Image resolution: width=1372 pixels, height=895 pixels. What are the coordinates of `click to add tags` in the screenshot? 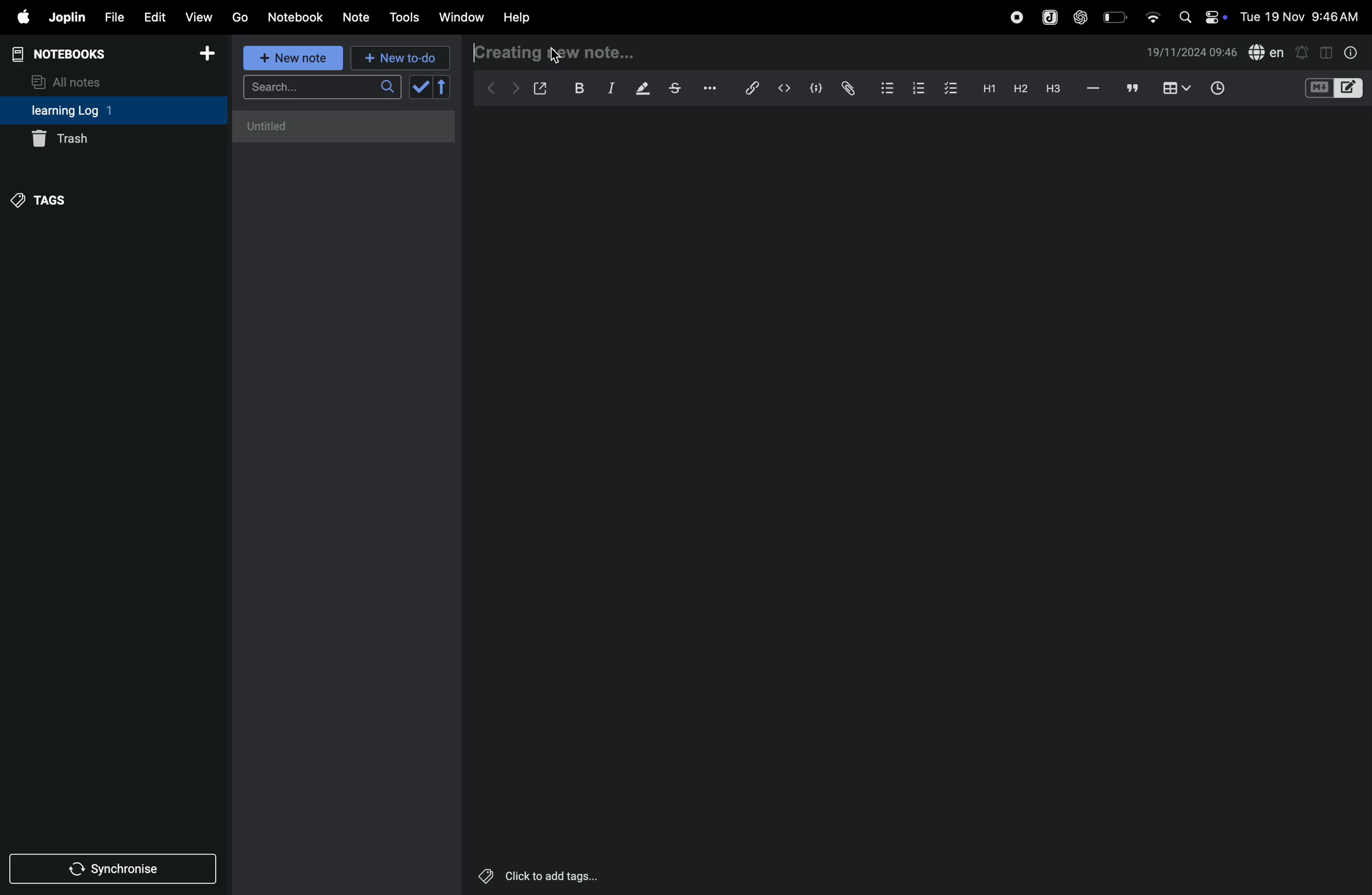 It's located at (535, 877).